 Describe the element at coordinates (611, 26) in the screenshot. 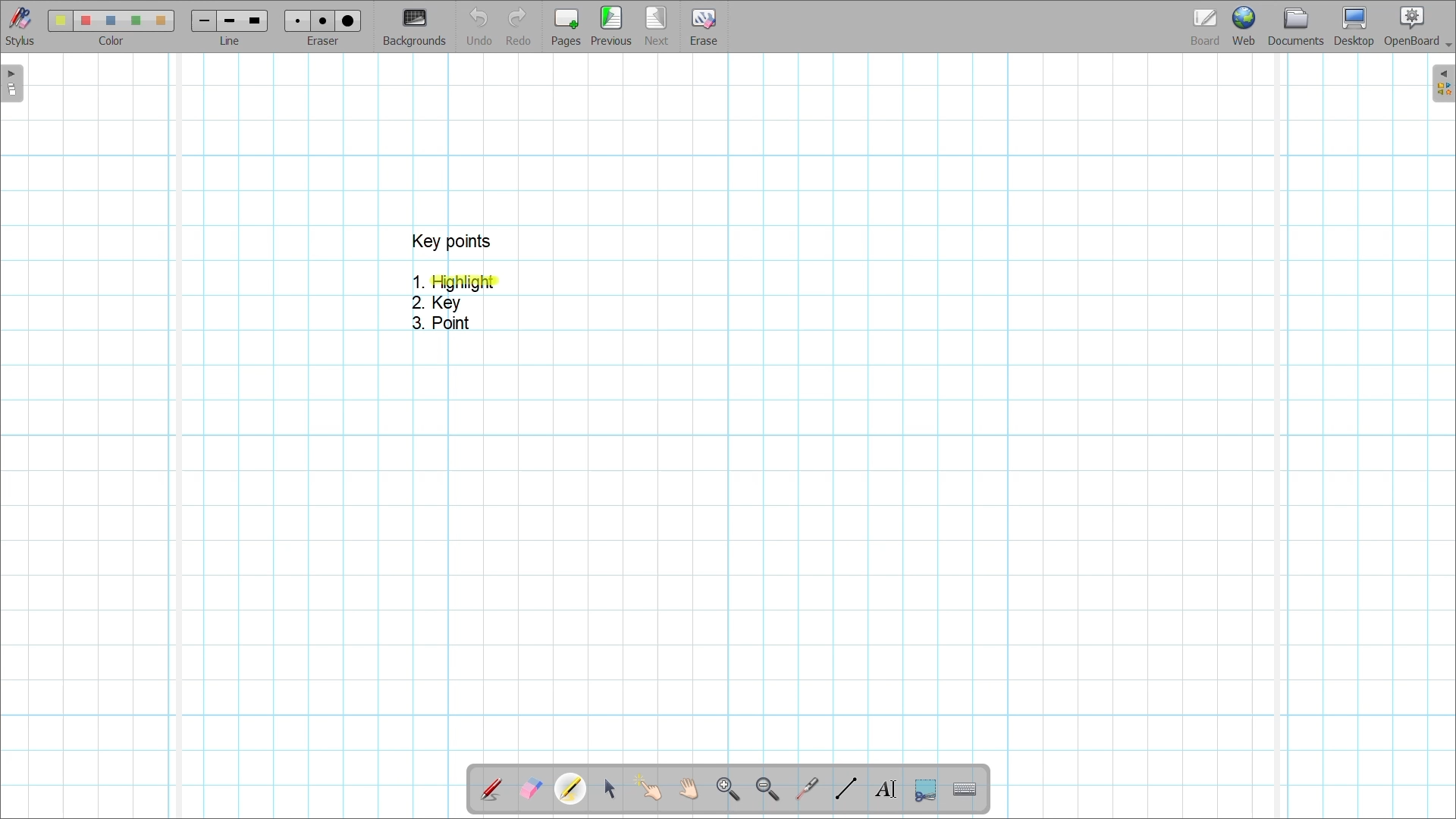

I see `Go to previous page` at that location.